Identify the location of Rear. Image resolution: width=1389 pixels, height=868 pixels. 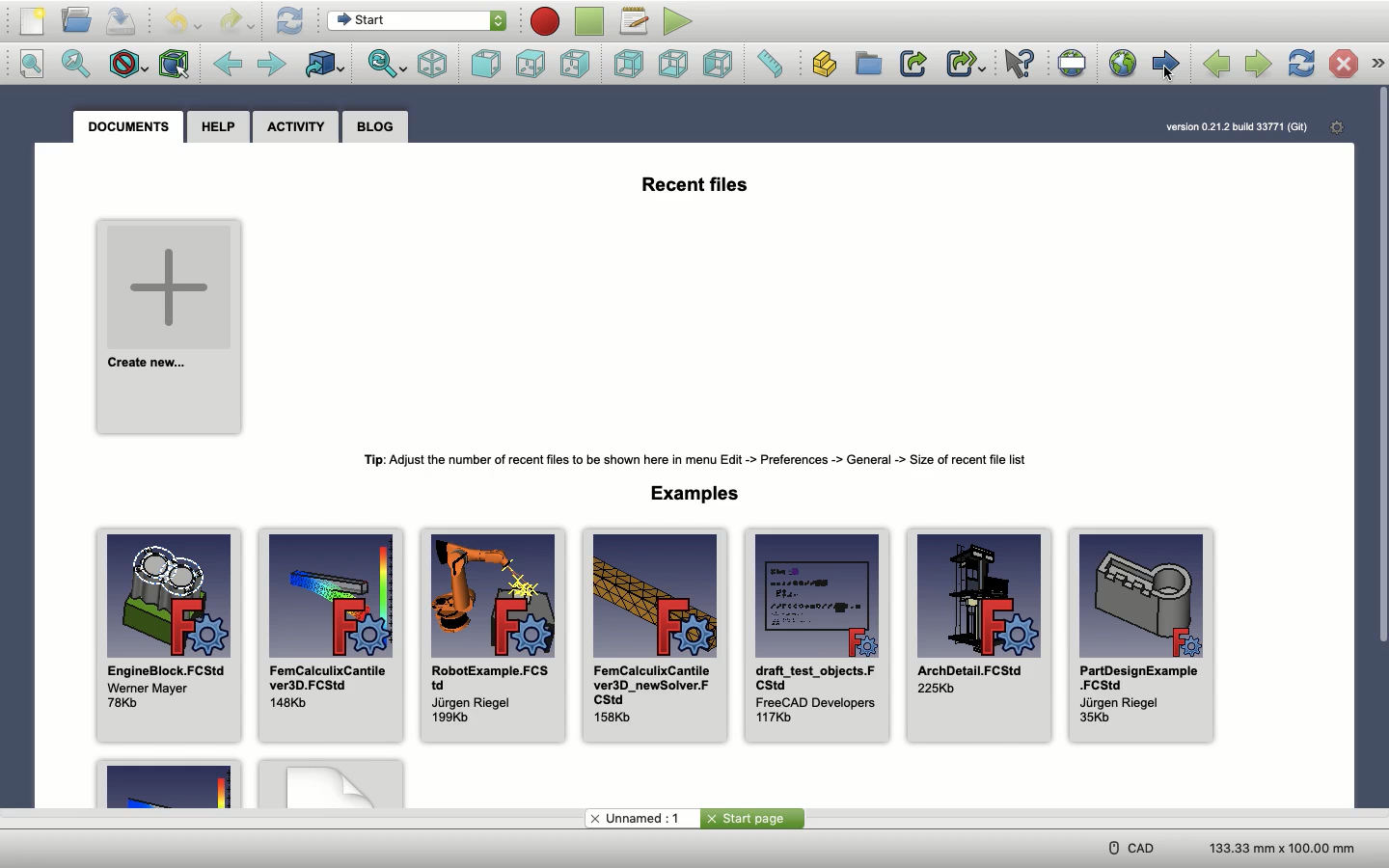
(633, 64).